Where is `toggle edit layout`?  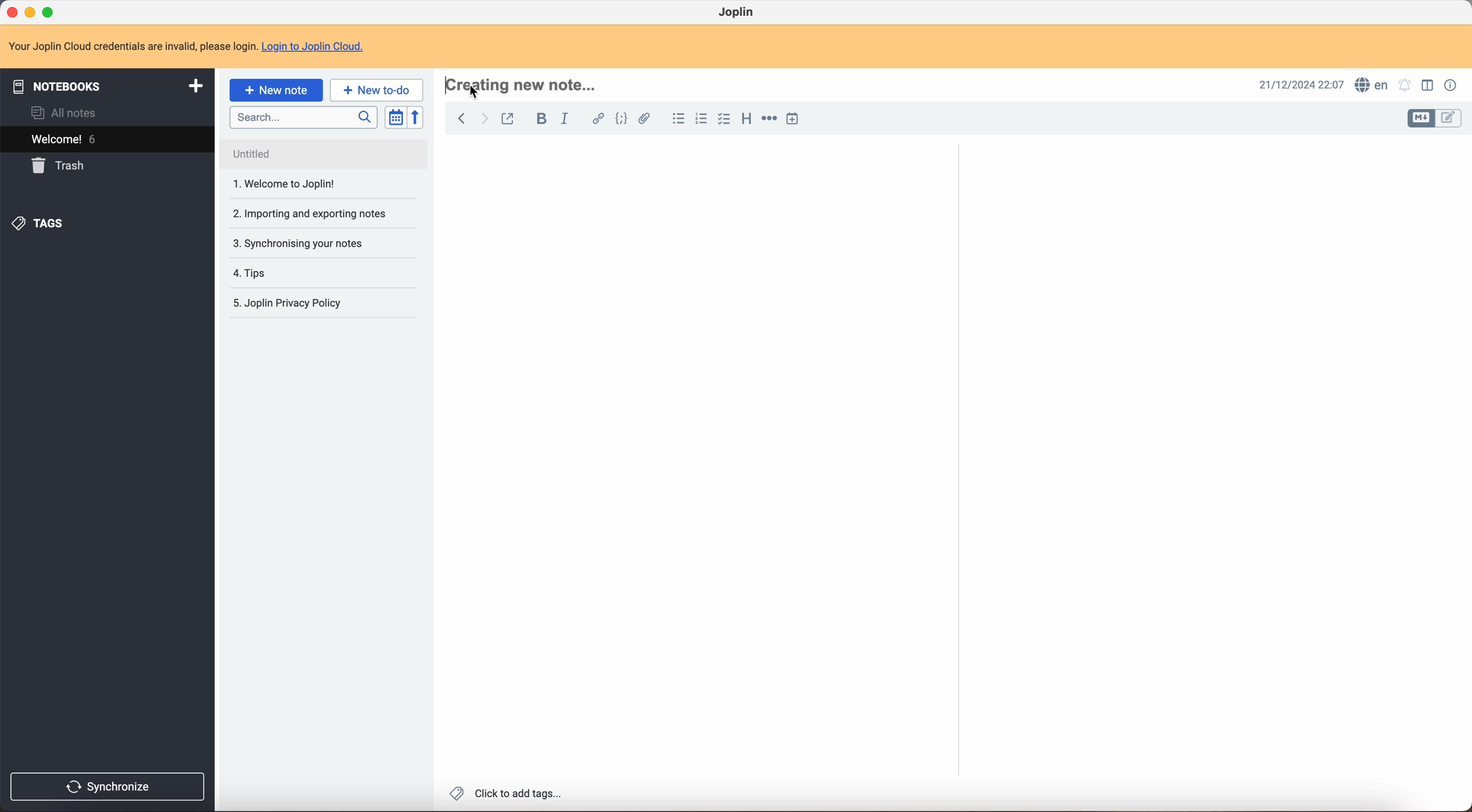 toggle edit layout is located at coordinates (1422, 119).